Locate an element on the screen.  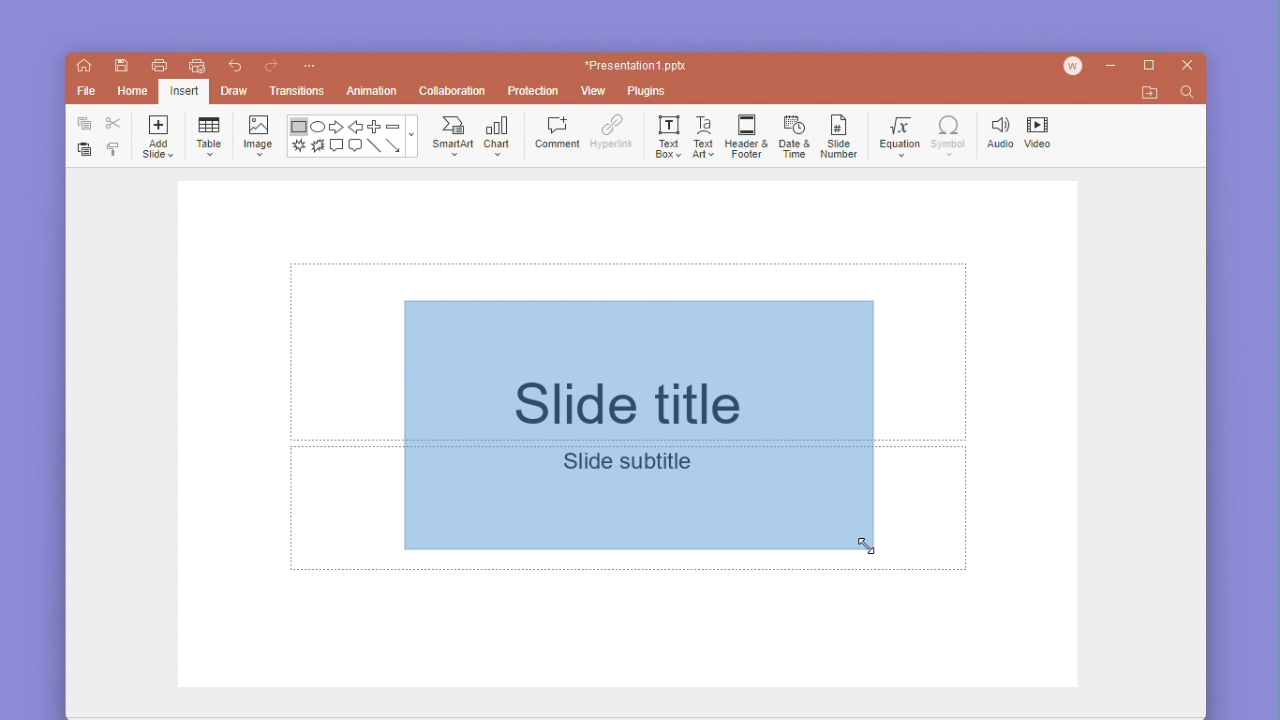
video is located at coordinates (1041, 130).